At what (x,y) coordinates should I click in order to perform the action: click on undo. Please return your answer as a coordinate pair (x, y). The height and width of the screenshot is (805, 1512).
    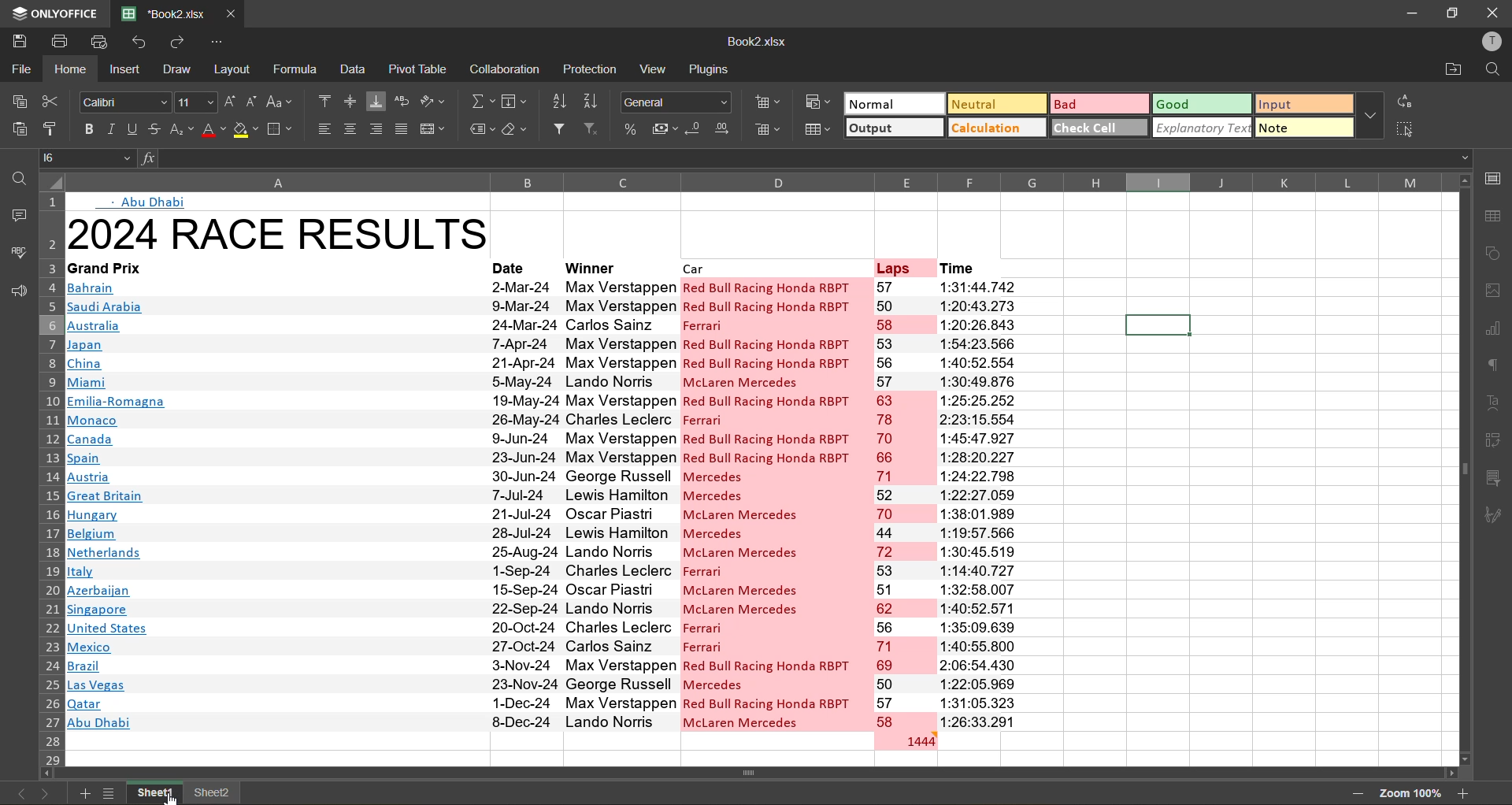
    Looking at the image, I should click on (143, 43).